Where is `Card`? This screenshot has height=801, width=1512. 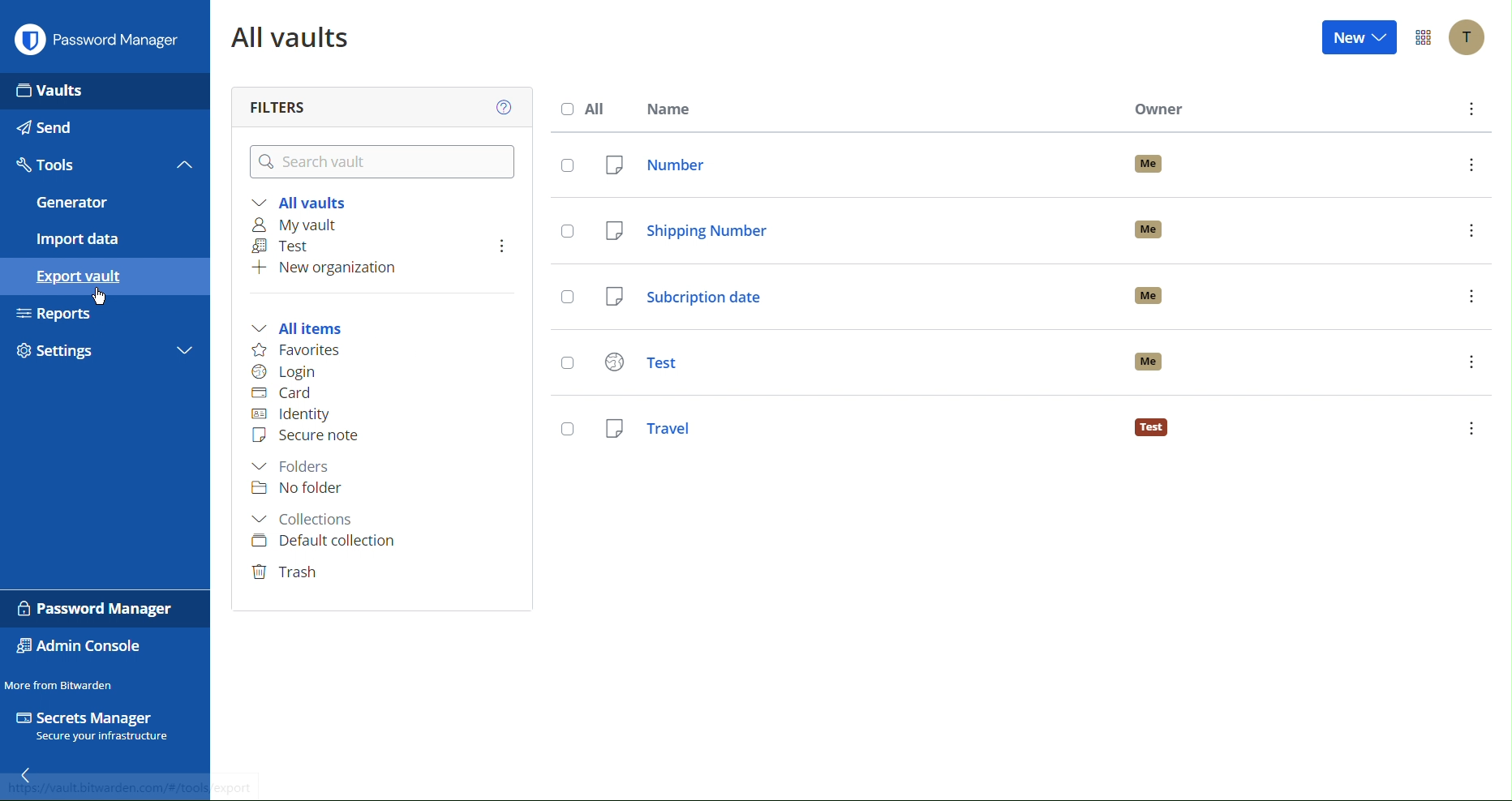 Card is located at coordinates (285, 394).